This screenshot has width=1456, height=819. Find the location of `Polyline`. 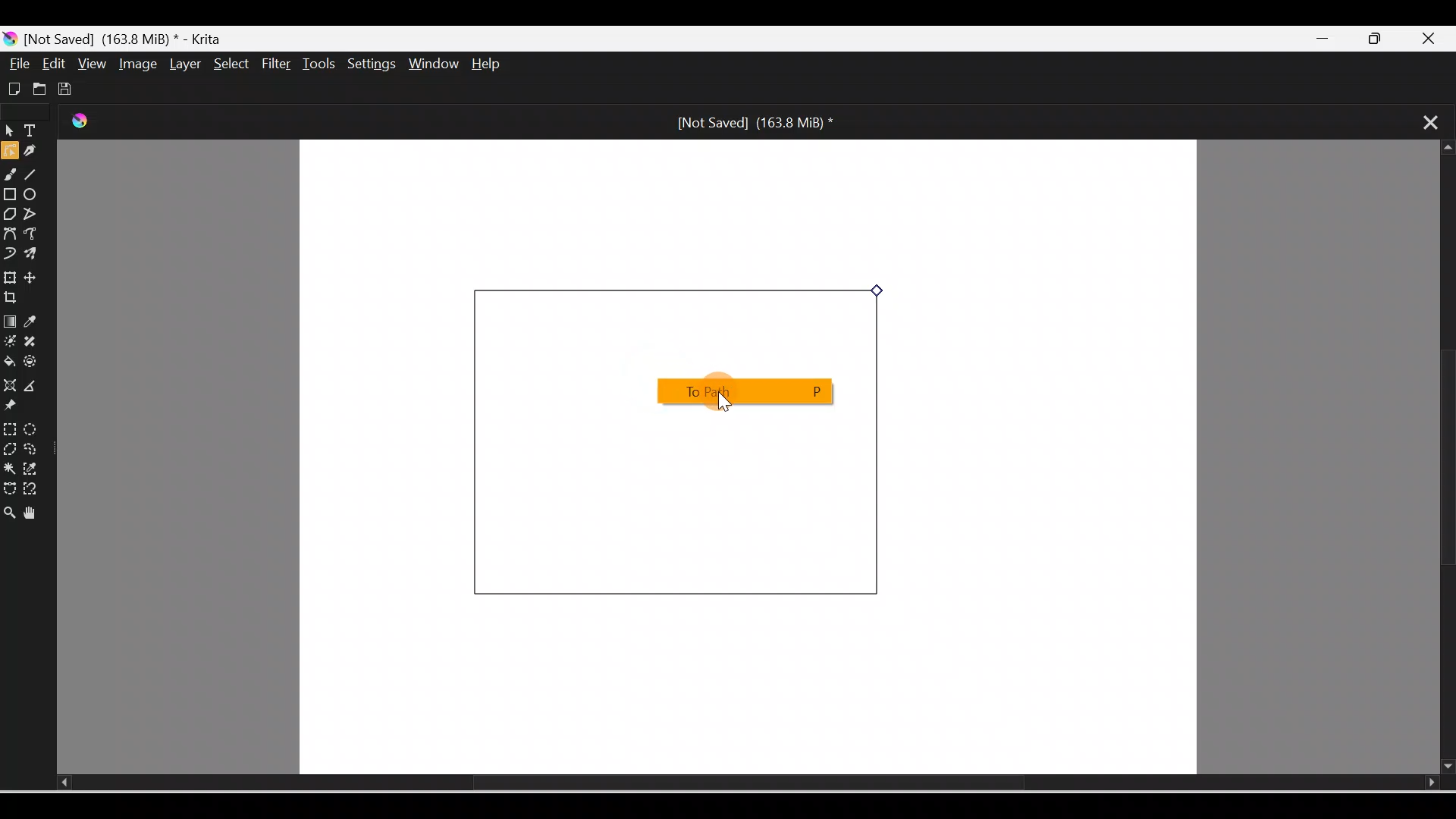

Polyline is located at coordinates (33, 213).